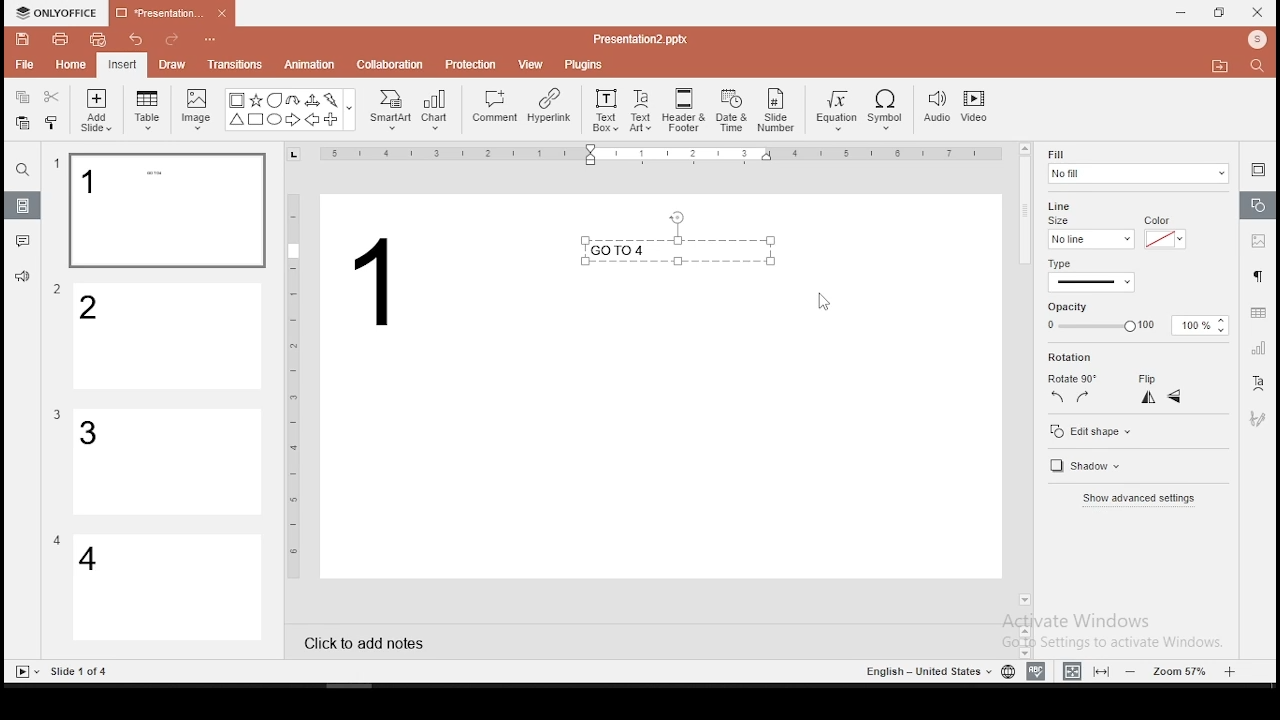  Describe the element at coordinates (294, 100) in the screenshot. I see `U Arrow` at that location.